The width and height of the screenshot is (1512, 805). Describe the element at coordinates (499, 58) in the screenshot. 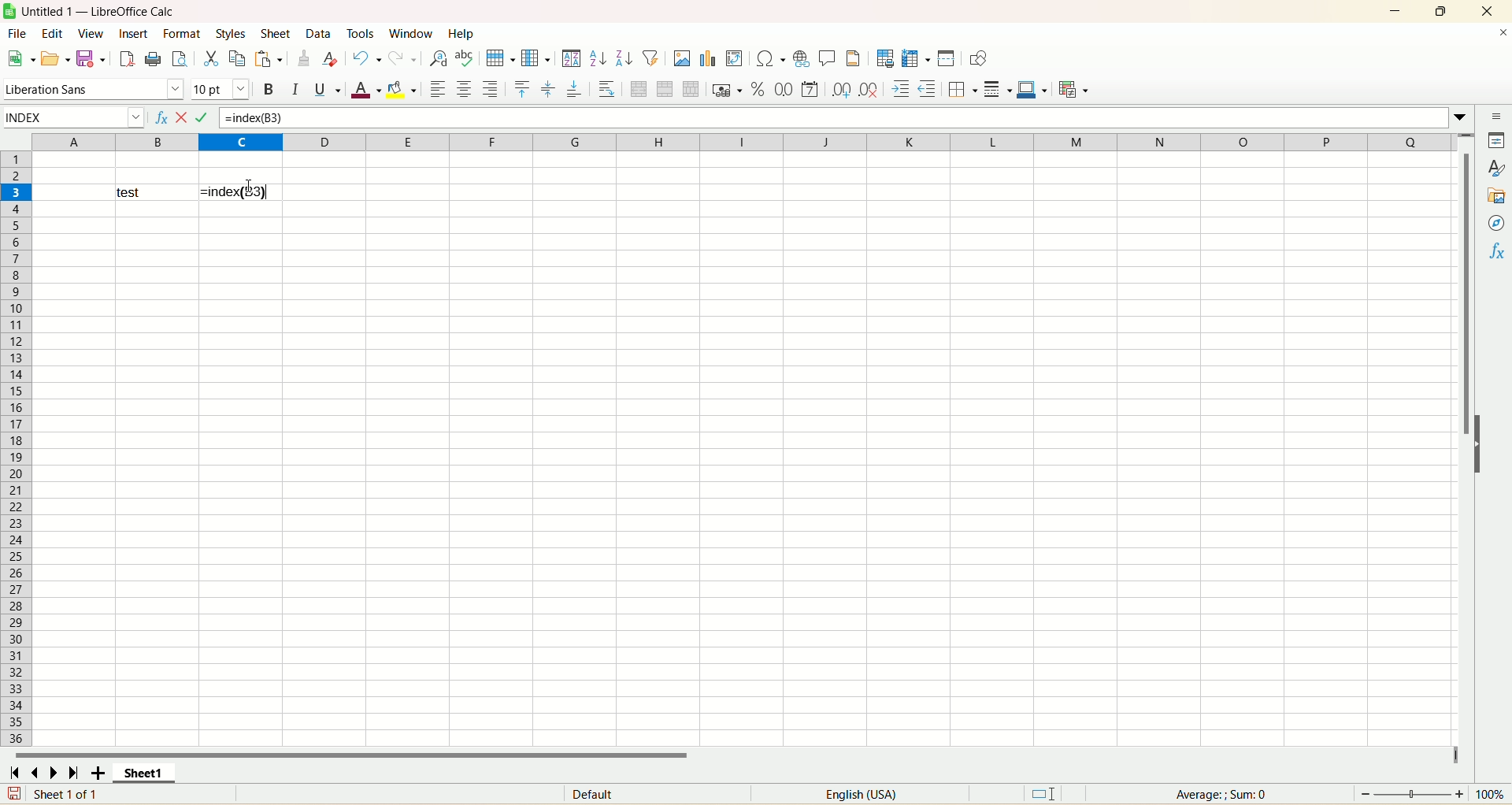

I see `row` at that location.